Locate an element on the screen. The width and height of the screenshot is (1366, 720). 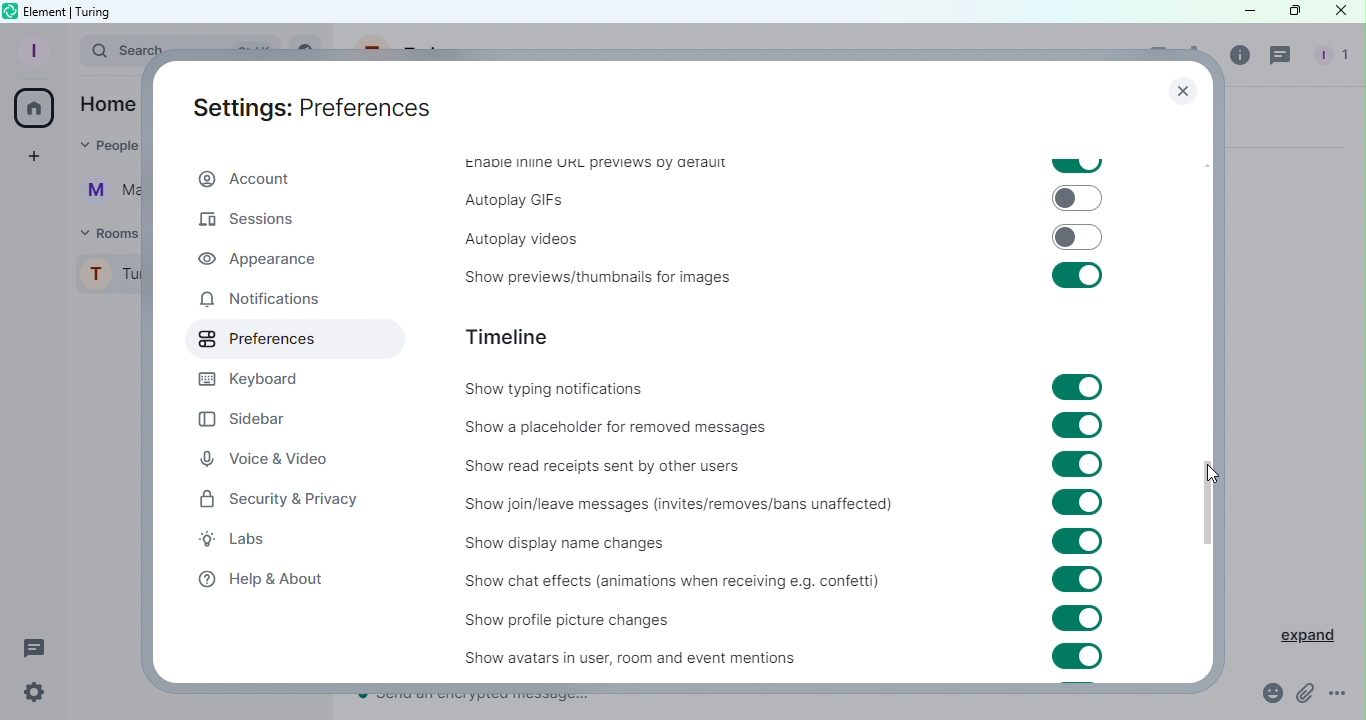
People is located at coordinates (1328, 57).